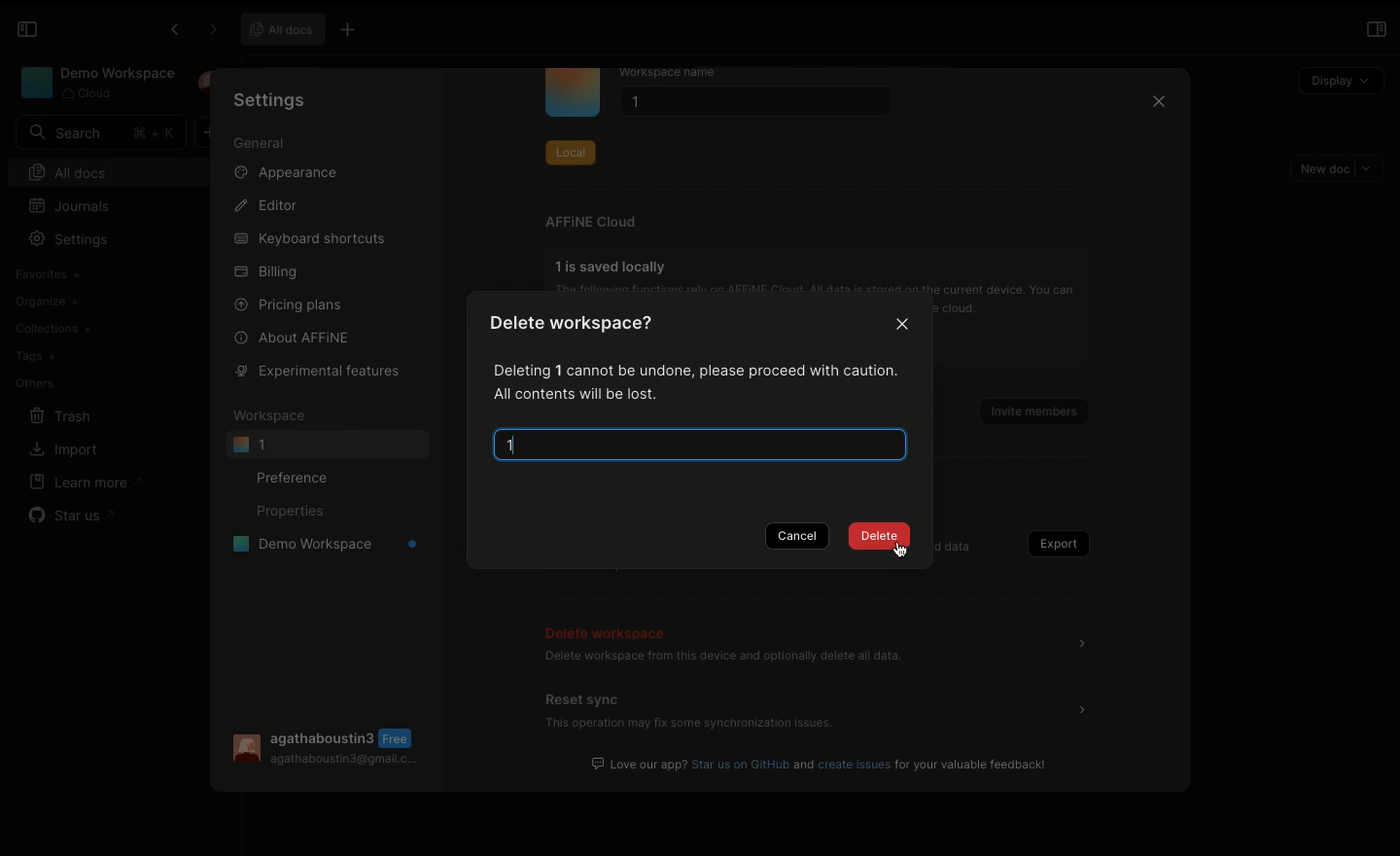 The width and height of the screenshot is (1400, 856). I want to click on Journals, so click(71, 206).